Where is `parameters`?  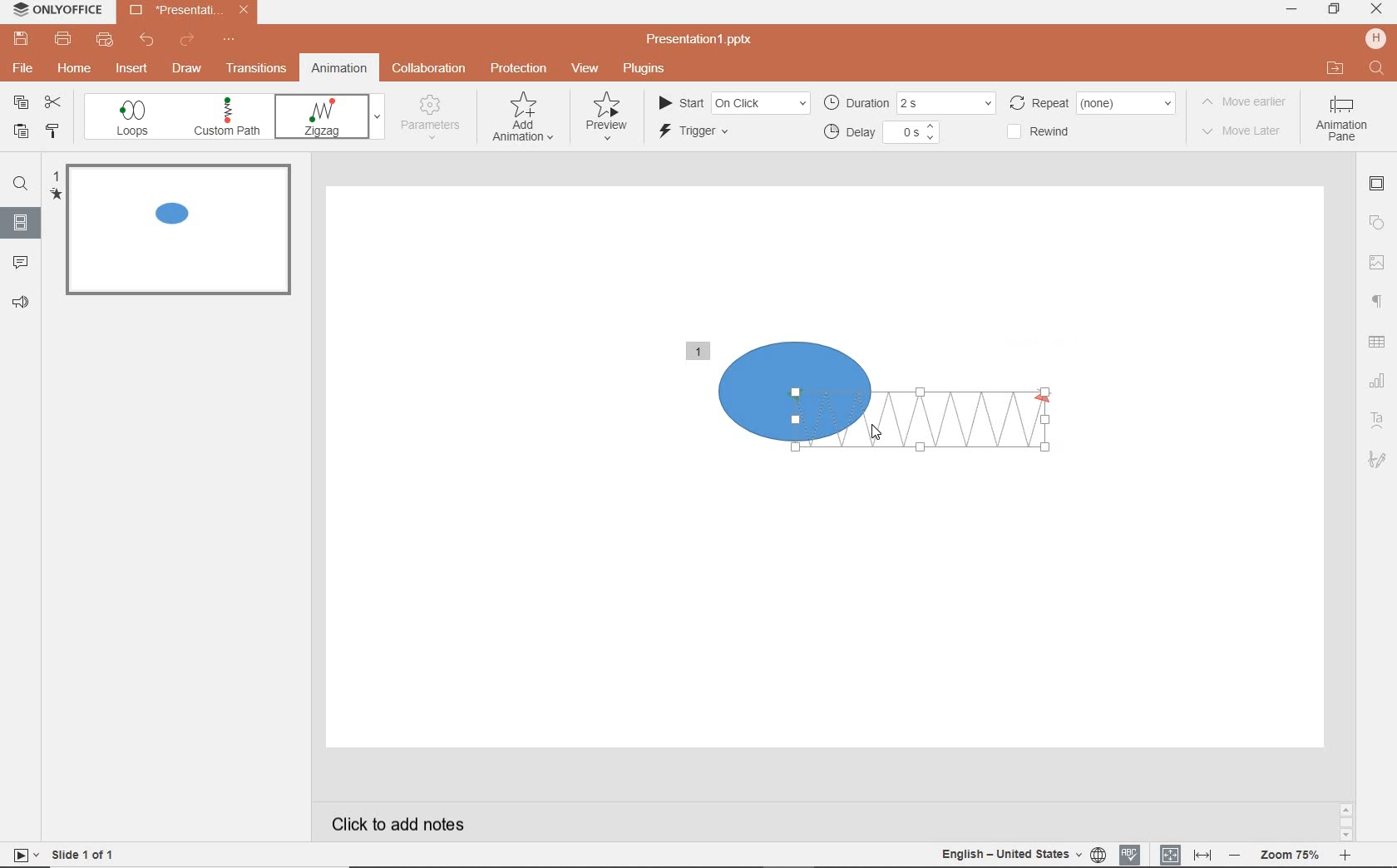 parameters is located at coordinates (434, 118).